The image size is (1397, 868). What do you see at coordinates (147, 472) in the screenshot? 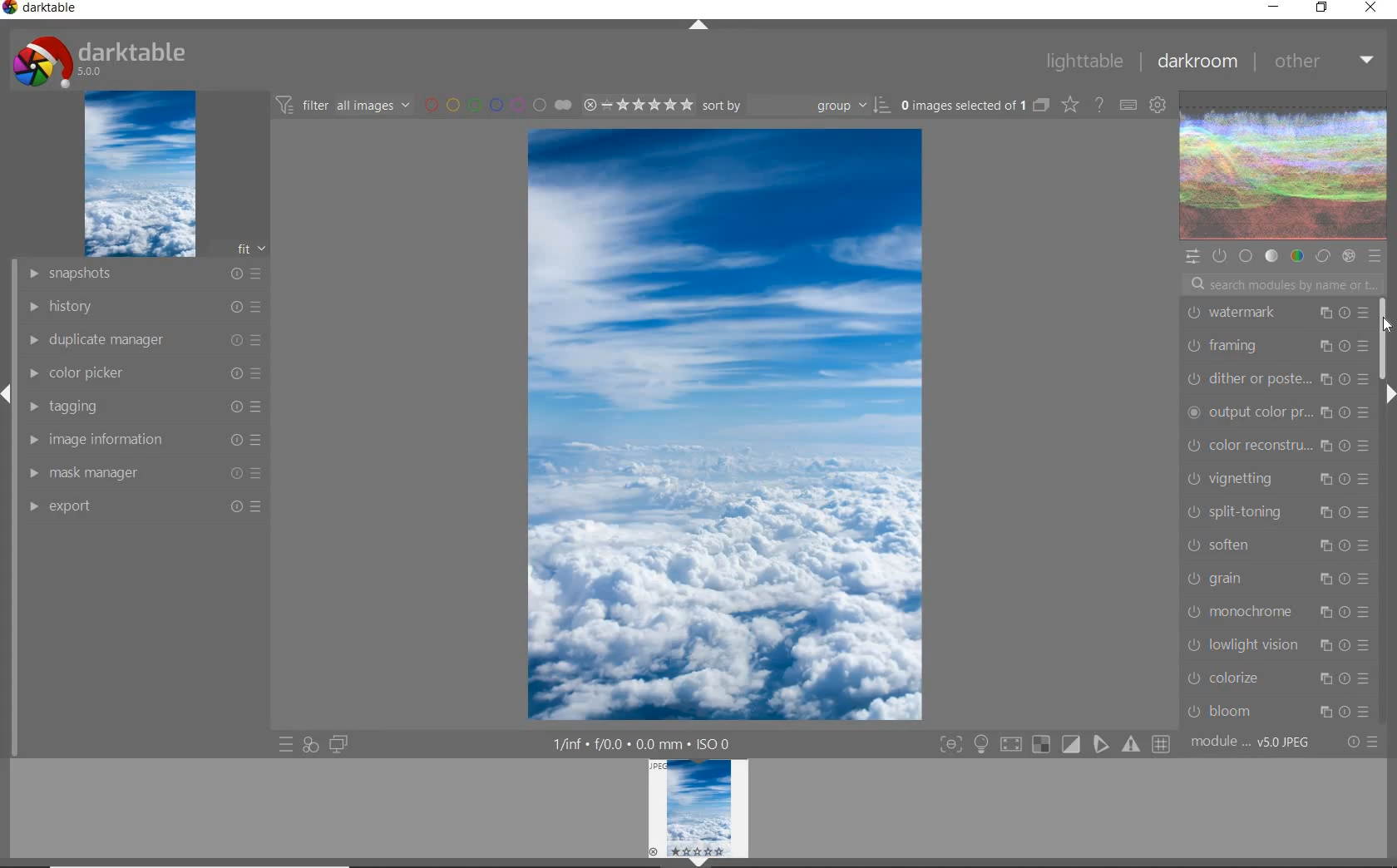
I see `MASK MANAGER` at bounding box center [147, 472].